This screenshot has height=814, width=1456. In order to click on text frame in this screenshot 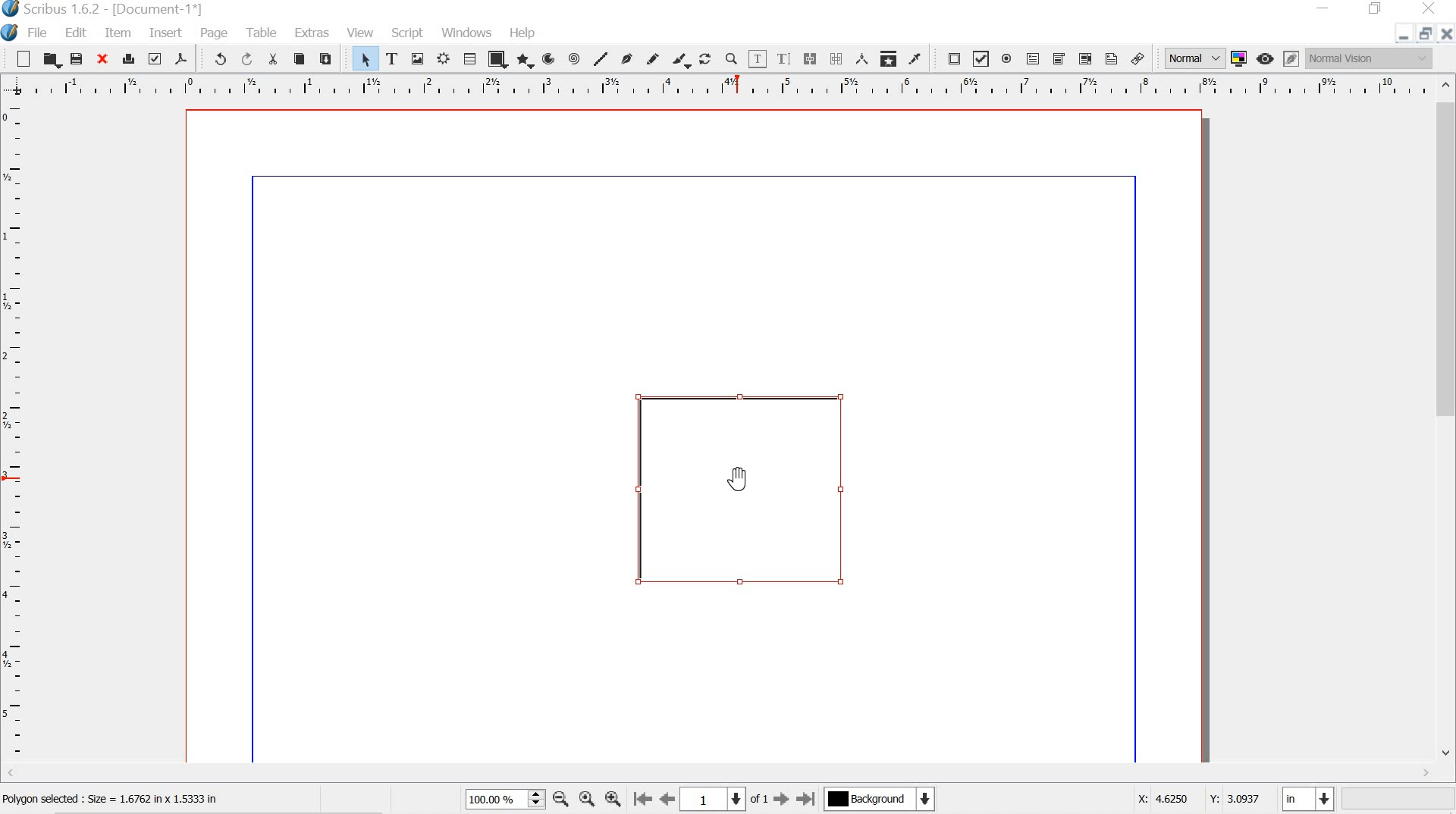, I will do `click(392, 58)`.